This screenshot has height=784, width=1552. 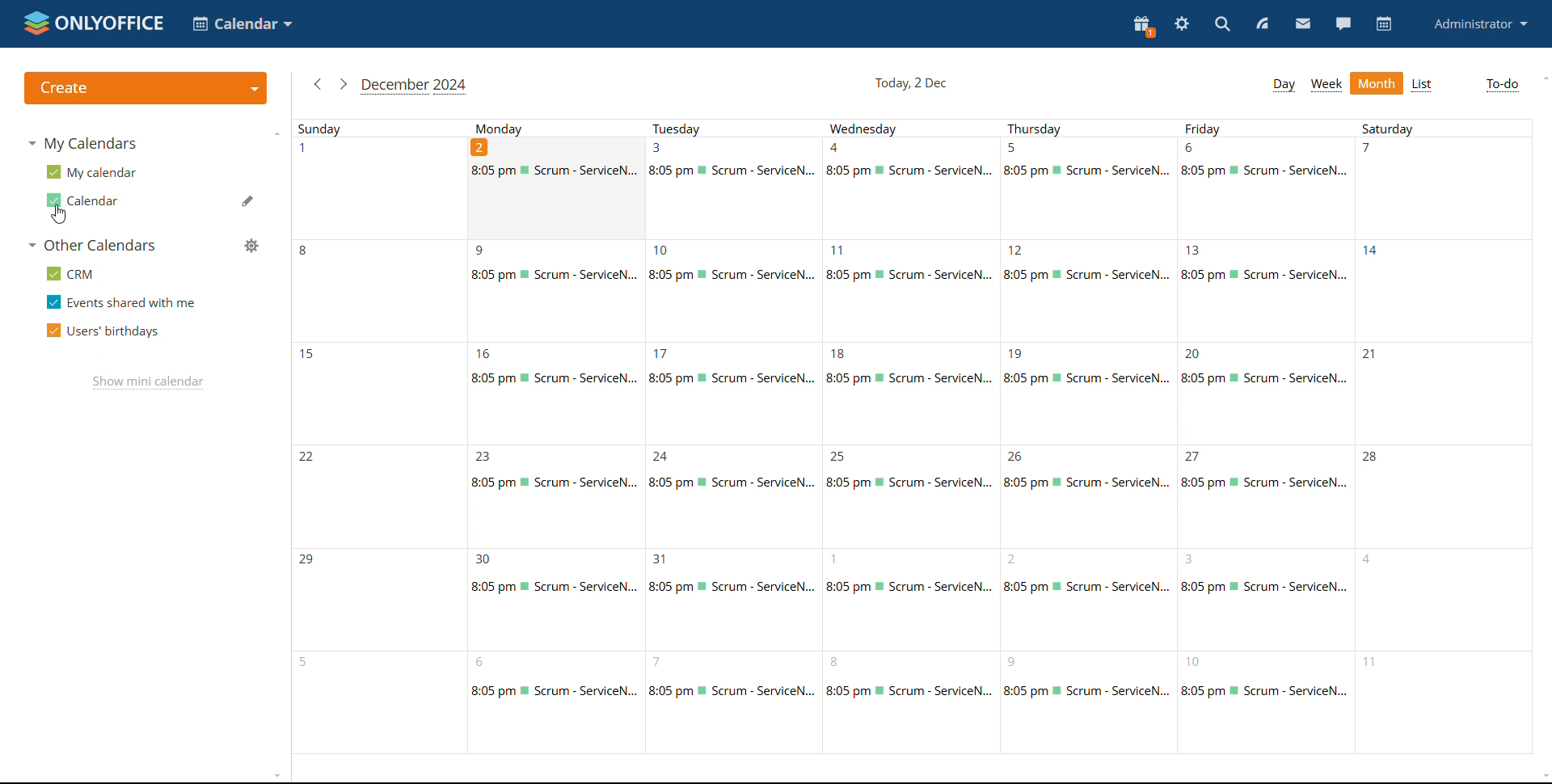 What do you see at coordinates (73, 275) in the screenshot?
I see `crm` at bounding box center [73, 275].